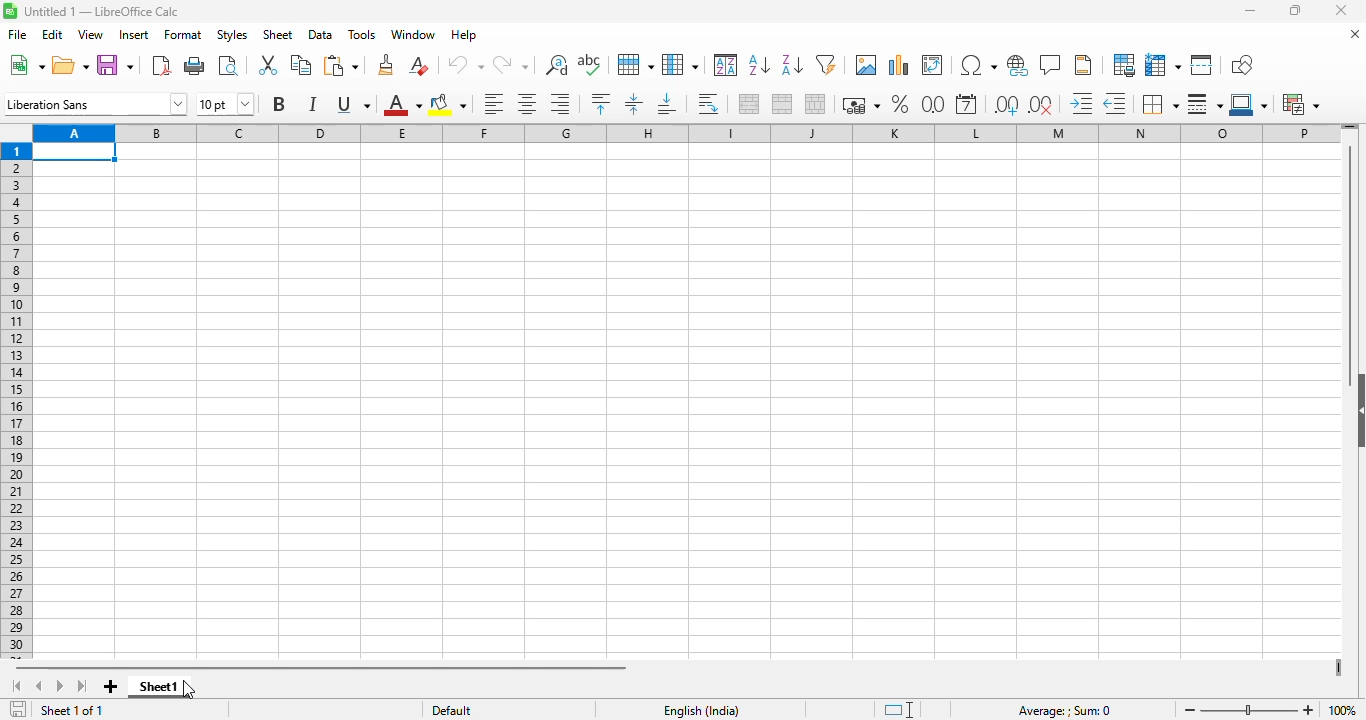 The image size is (1366, 720). I want to click on freeze rows and columns, so click(1163, 65).